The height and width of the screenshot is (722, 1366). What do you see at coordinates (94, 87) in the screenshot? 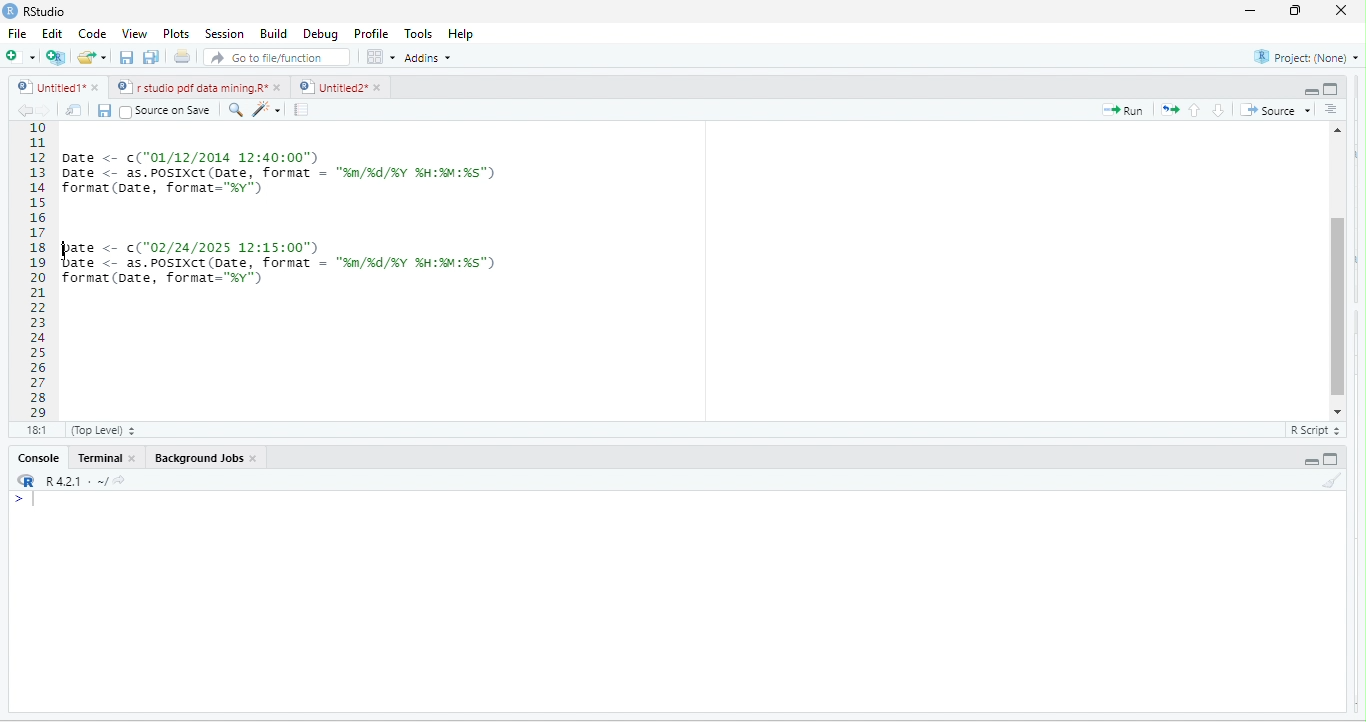
I see `close` at bounding box center [94, 87].